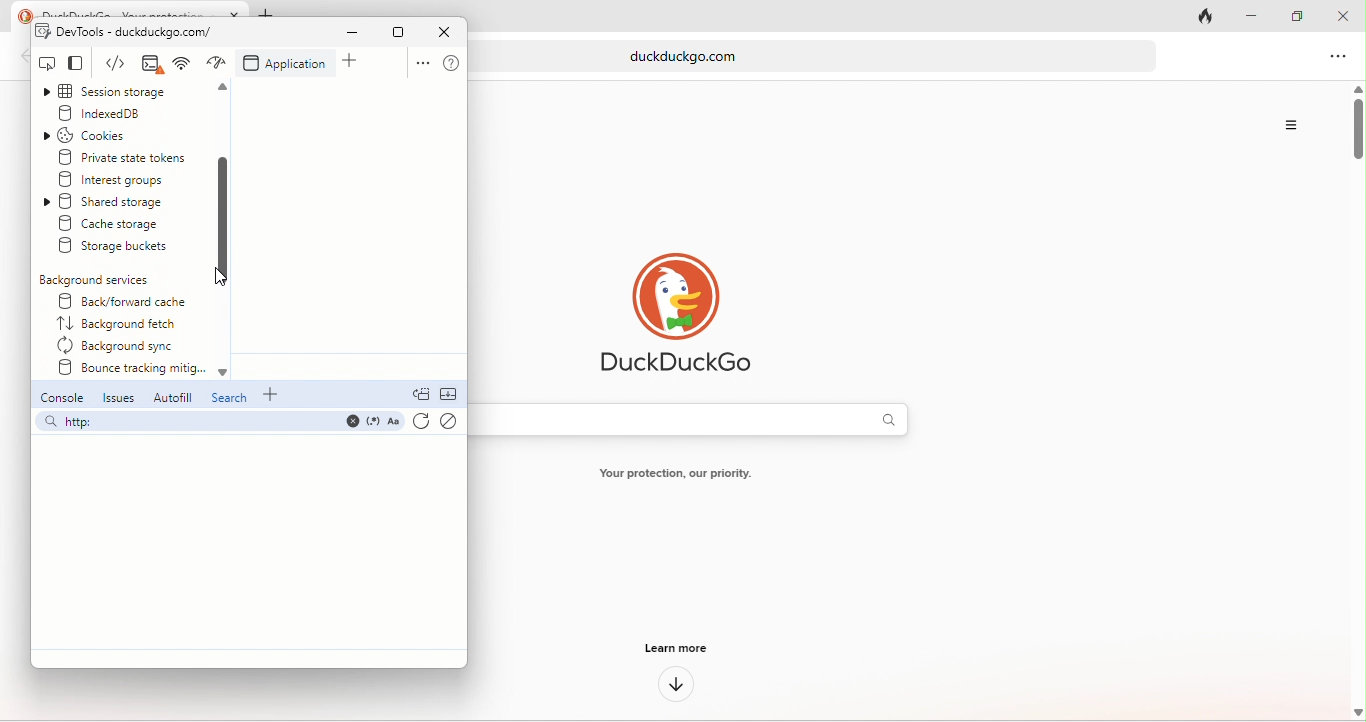  What do you see at coordinates (218, 424) in the screenshot?
I see `search bar` at bounding box center [218, 424].